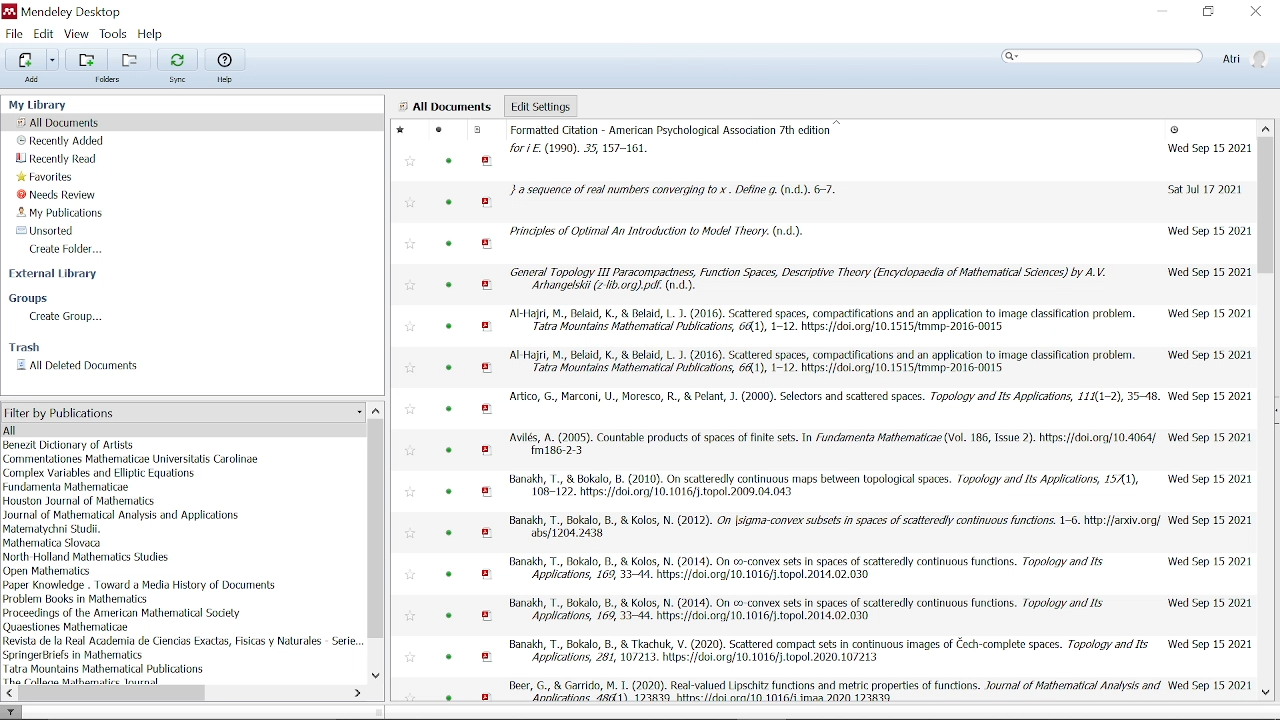  I want to click on citation, so click(806, 279).